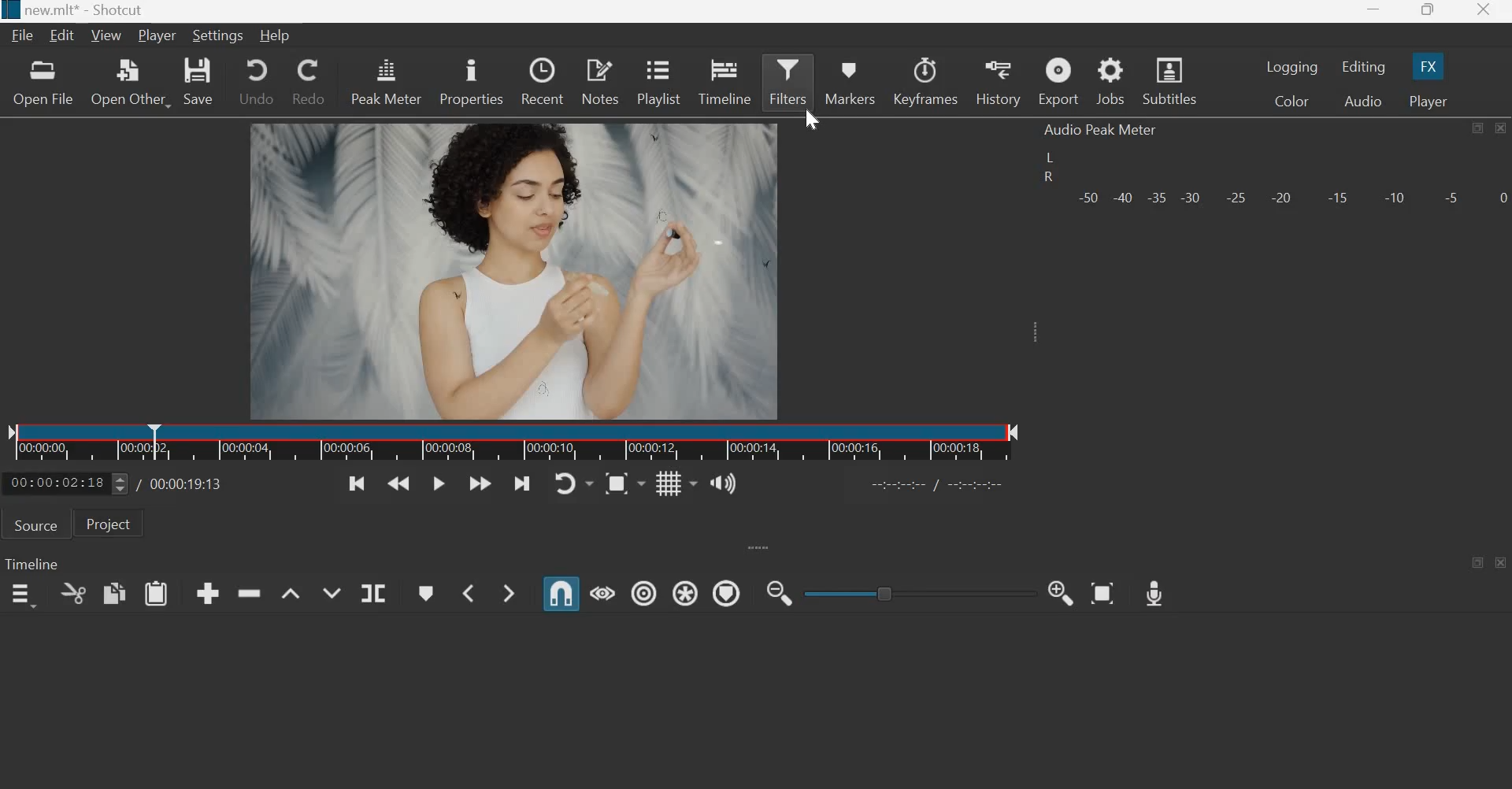 The height and width of the screenshot is (789, 1512). What do you see at coordinates (1292, 67) in the screenshot?
I see `Logging` at bounding box center [1292, 67].